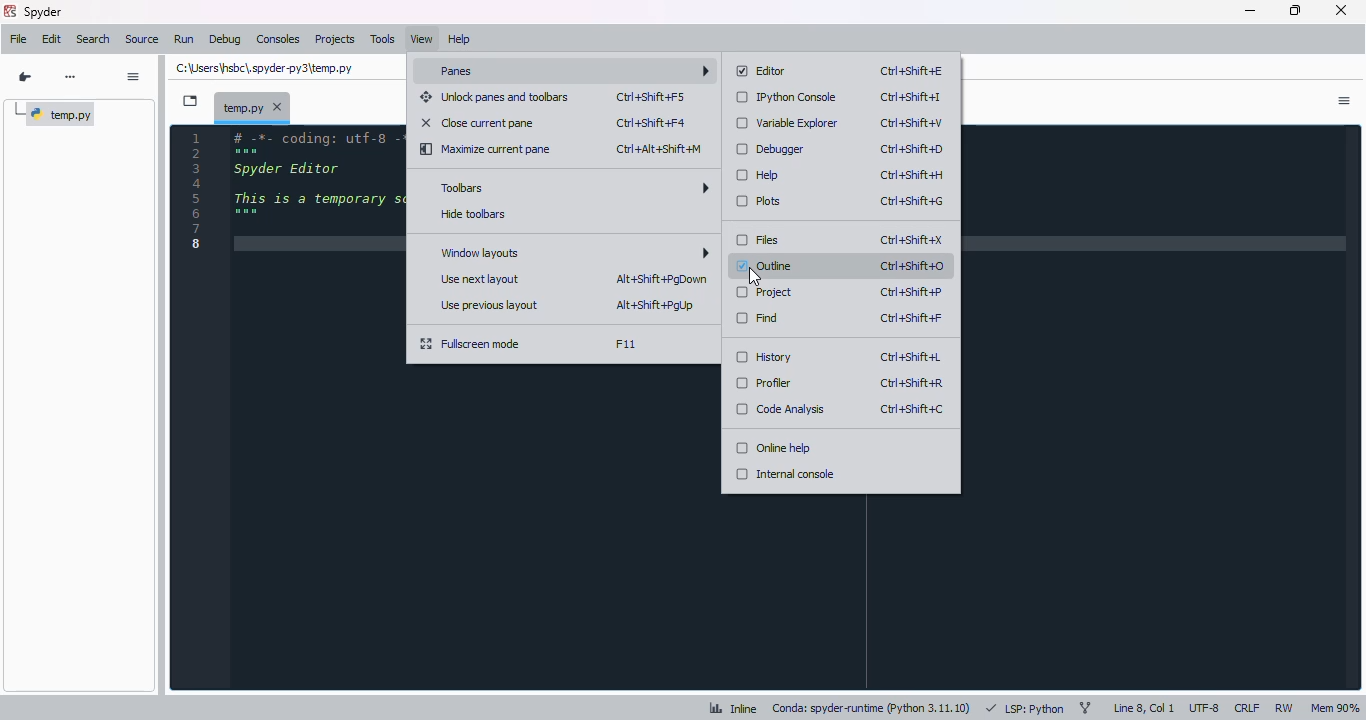 This screenshot has width=1366, height=720. Describe the element at coordinates (570, 71) in the screenshot. I see `panes` at that location.